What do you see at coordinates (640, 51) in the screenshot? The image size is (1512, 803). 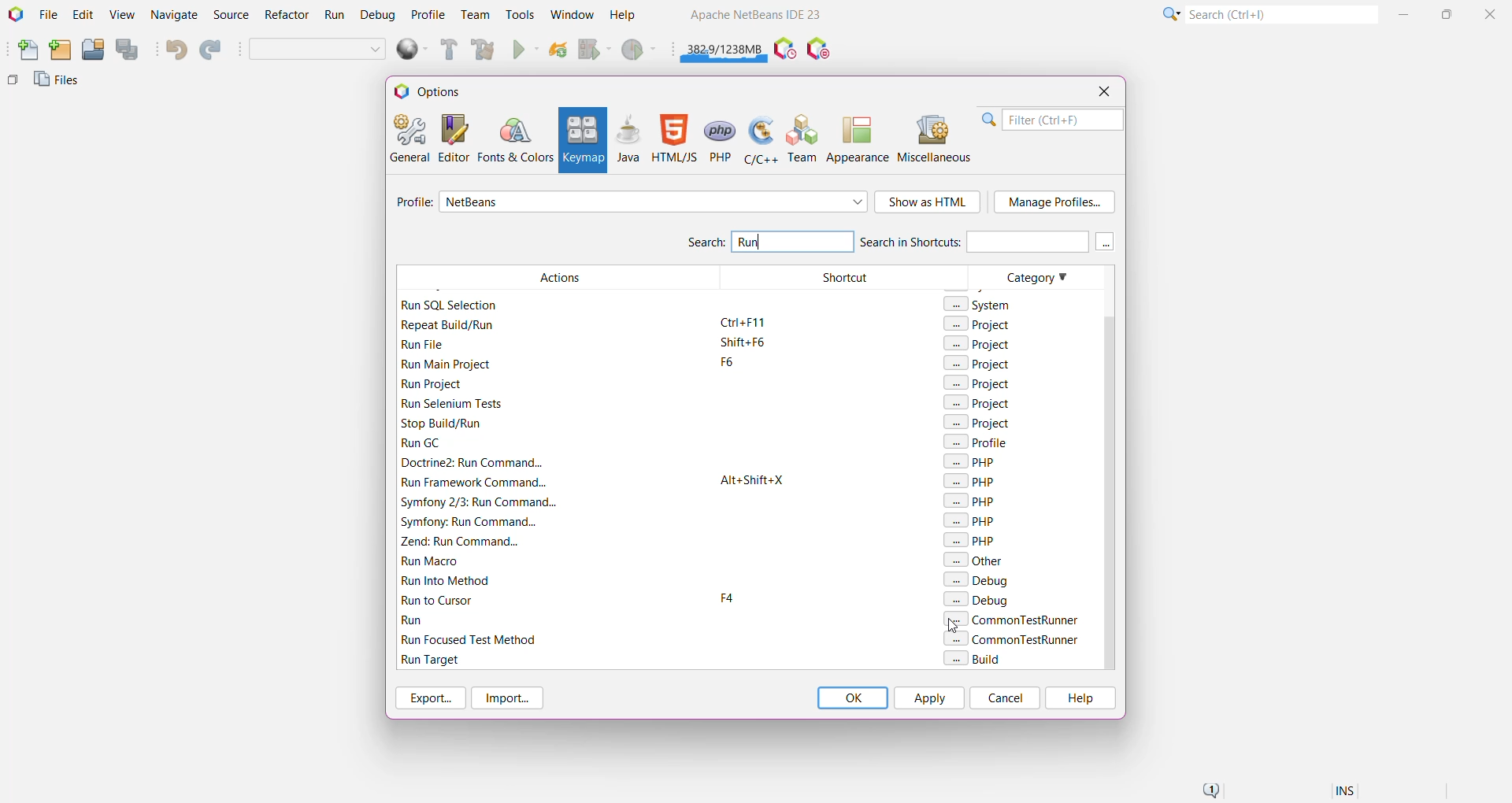 I see `Profile Main project` at bounding box center [640, 51].